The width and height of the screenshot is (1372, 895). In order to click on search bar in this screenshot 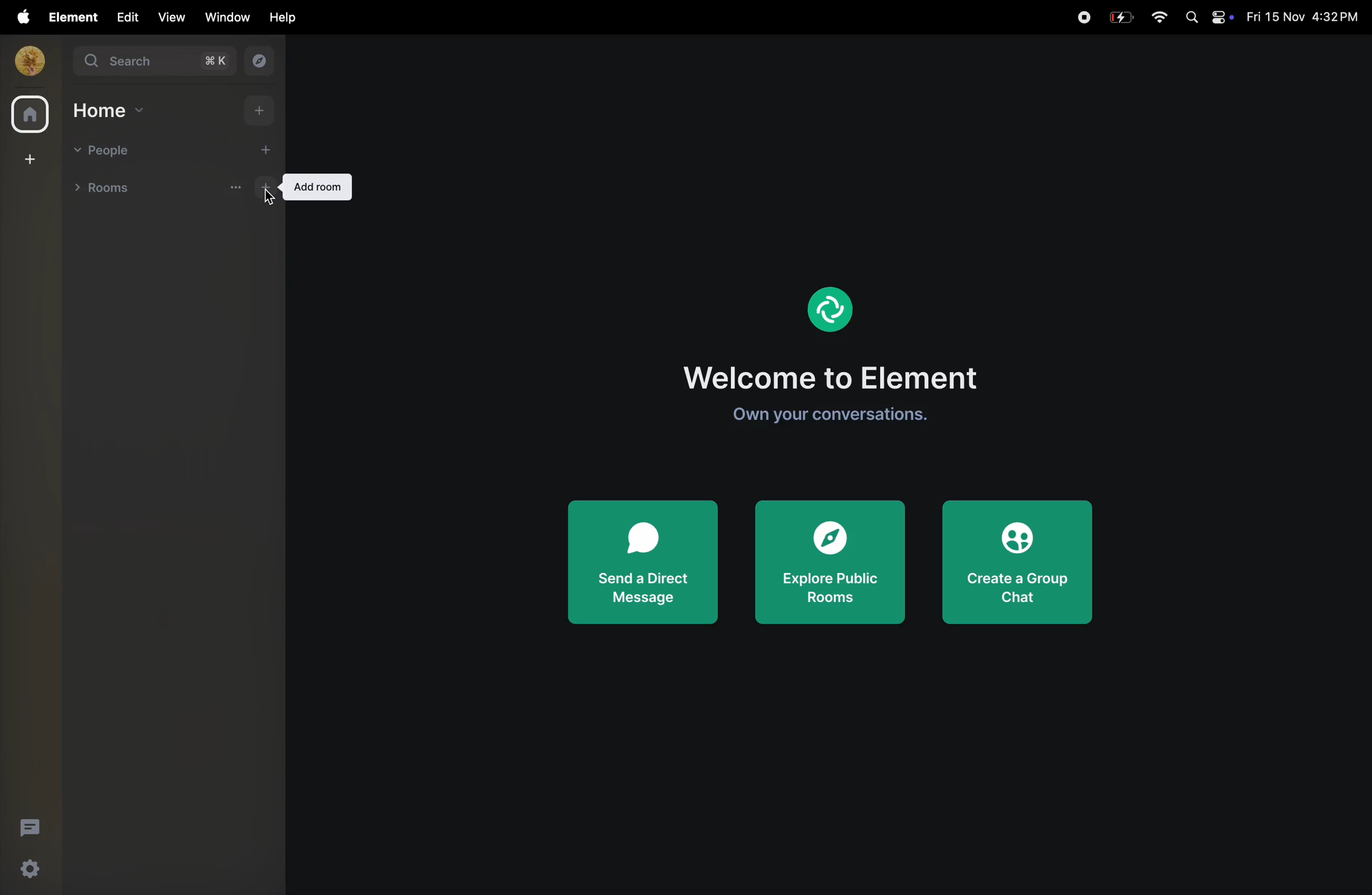, I will do `click(156, 63)`.